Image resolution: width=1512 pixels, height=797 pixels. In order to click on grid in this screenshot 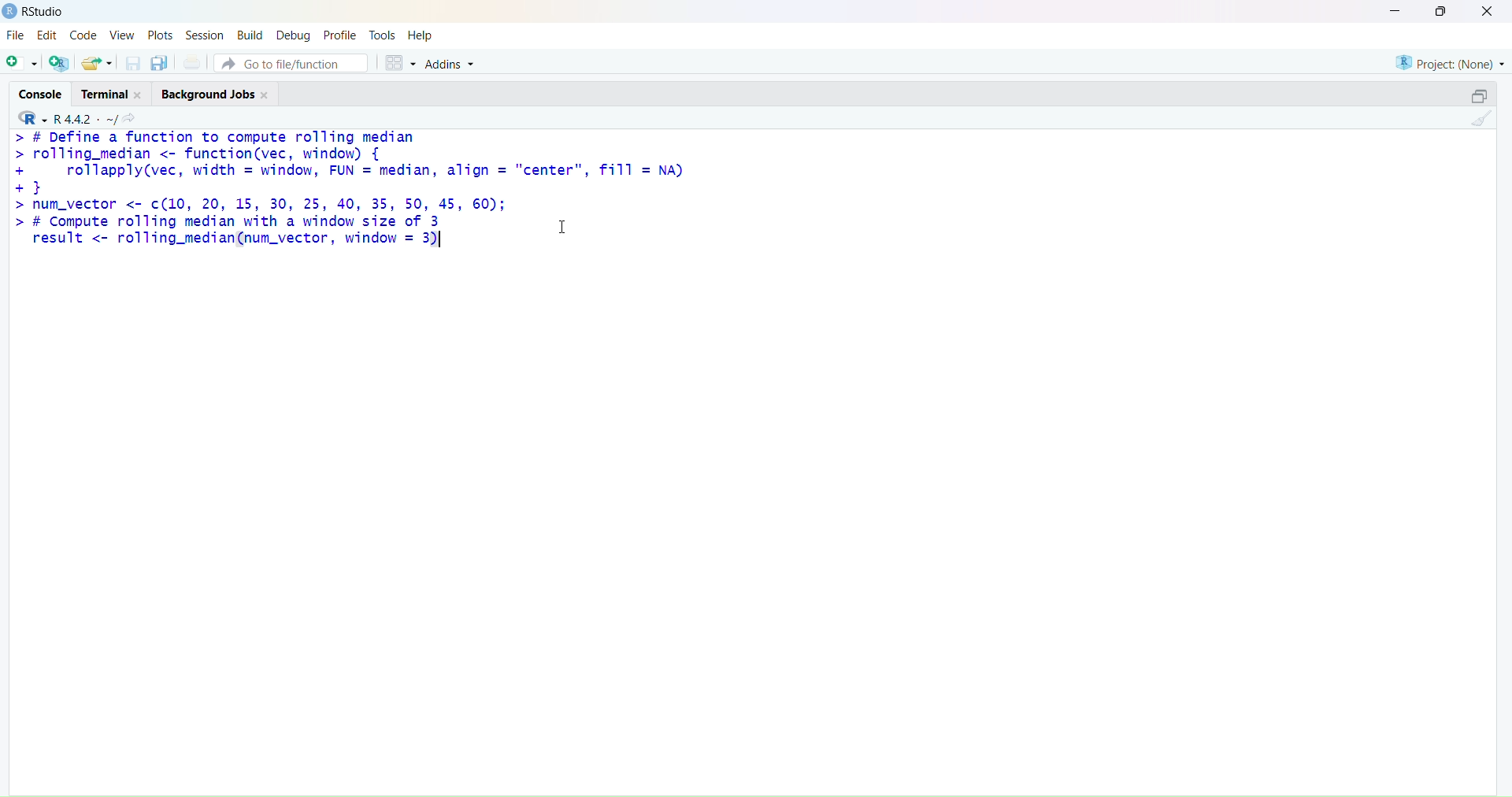, I will do `click(402, 63)`.